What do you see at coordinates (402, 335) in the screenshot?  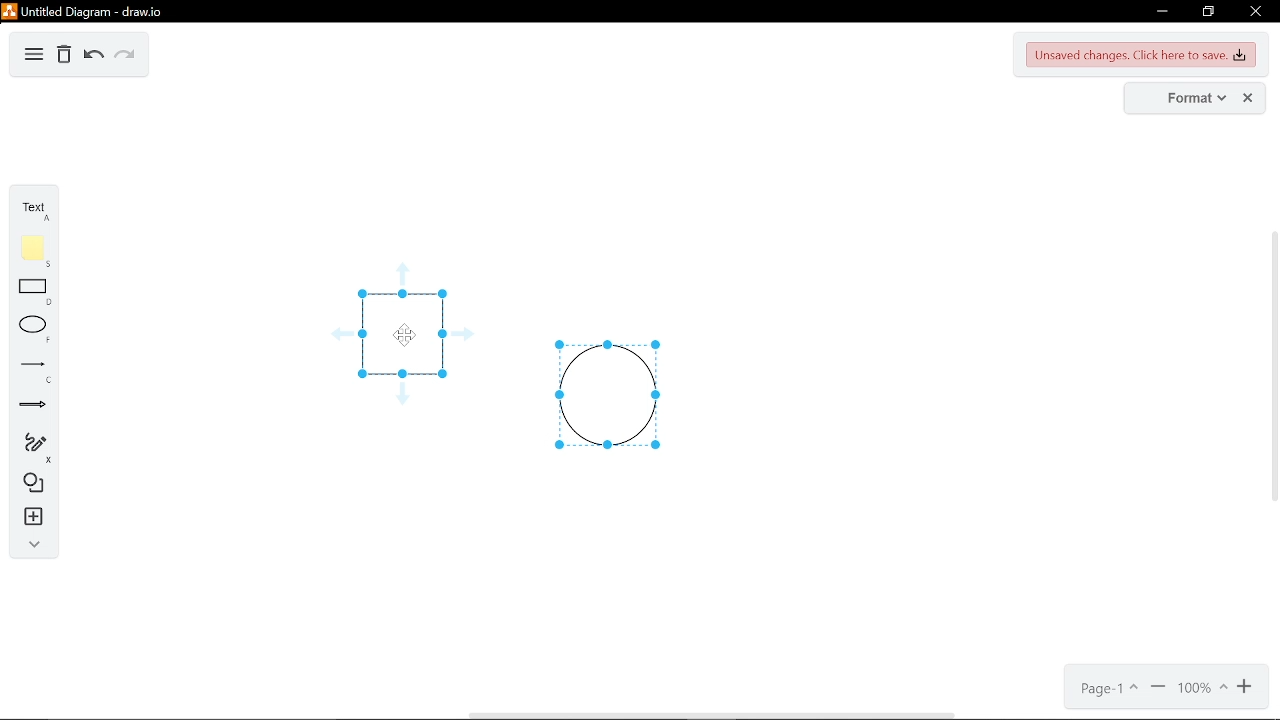 I see `Cursor` at bounding box center [402, 335].